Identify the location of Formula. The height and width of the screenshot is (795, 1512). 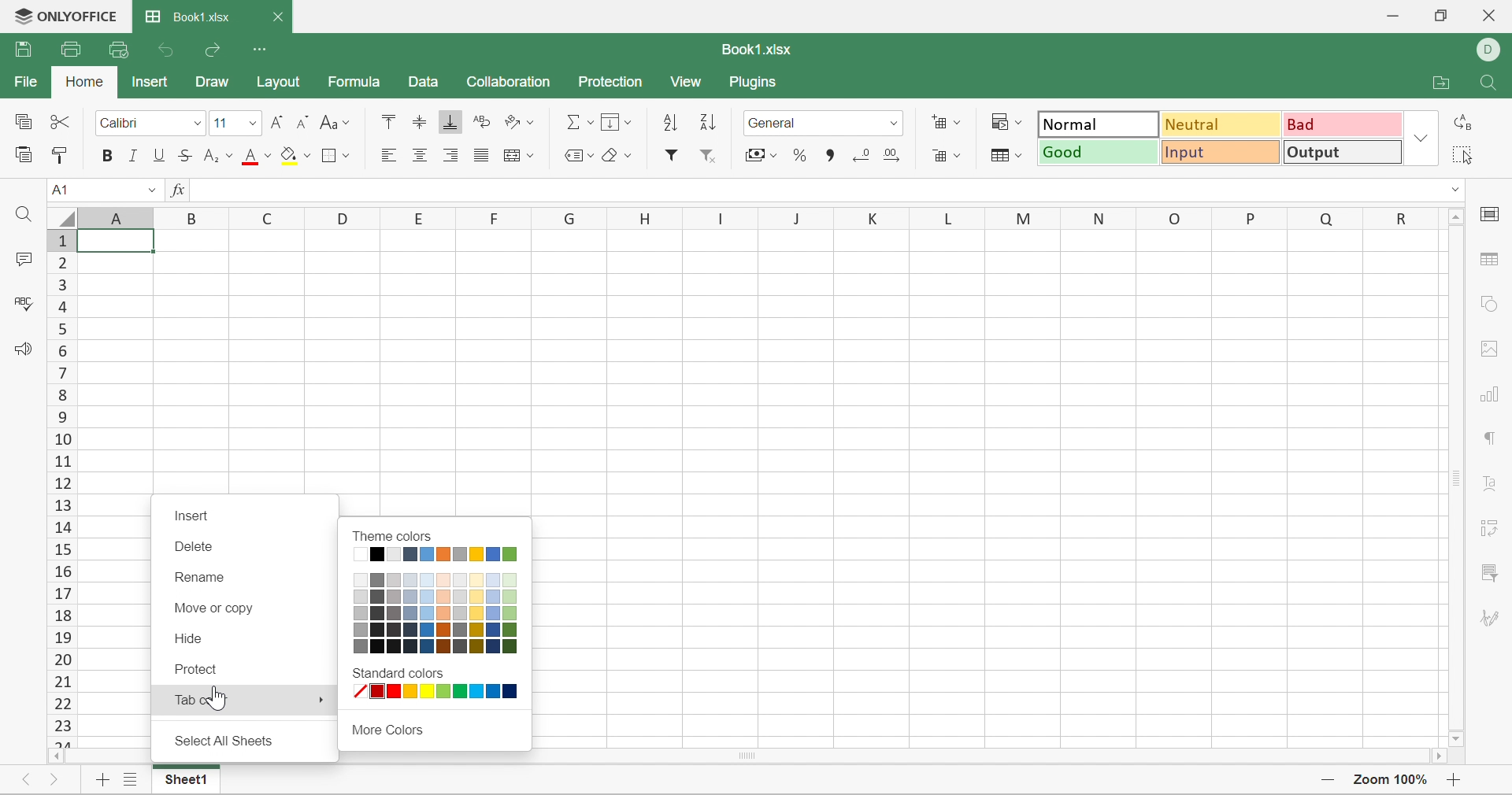
(353, 82).